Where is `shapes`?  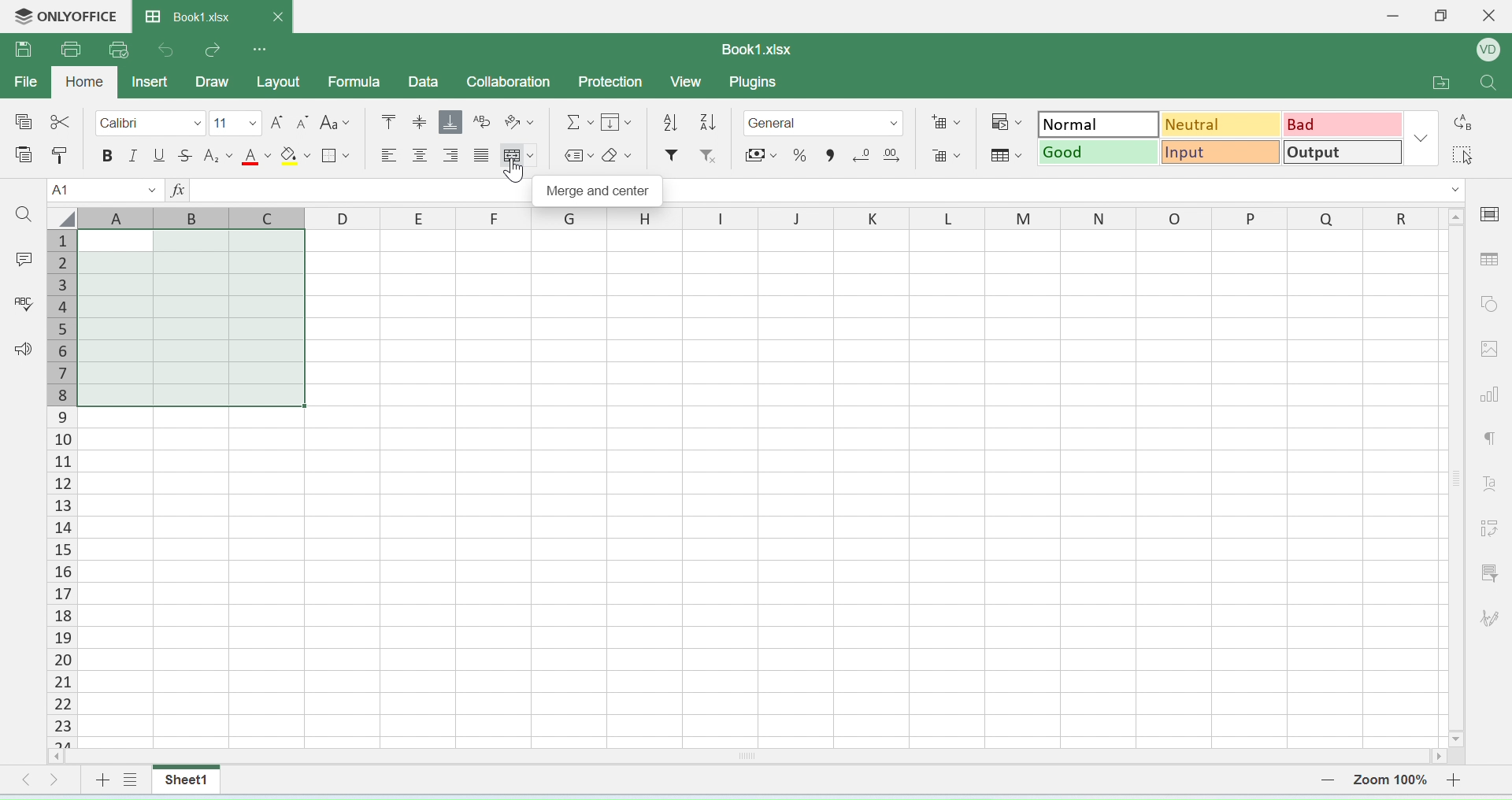
shapes is located at coordinates (1490, 302).